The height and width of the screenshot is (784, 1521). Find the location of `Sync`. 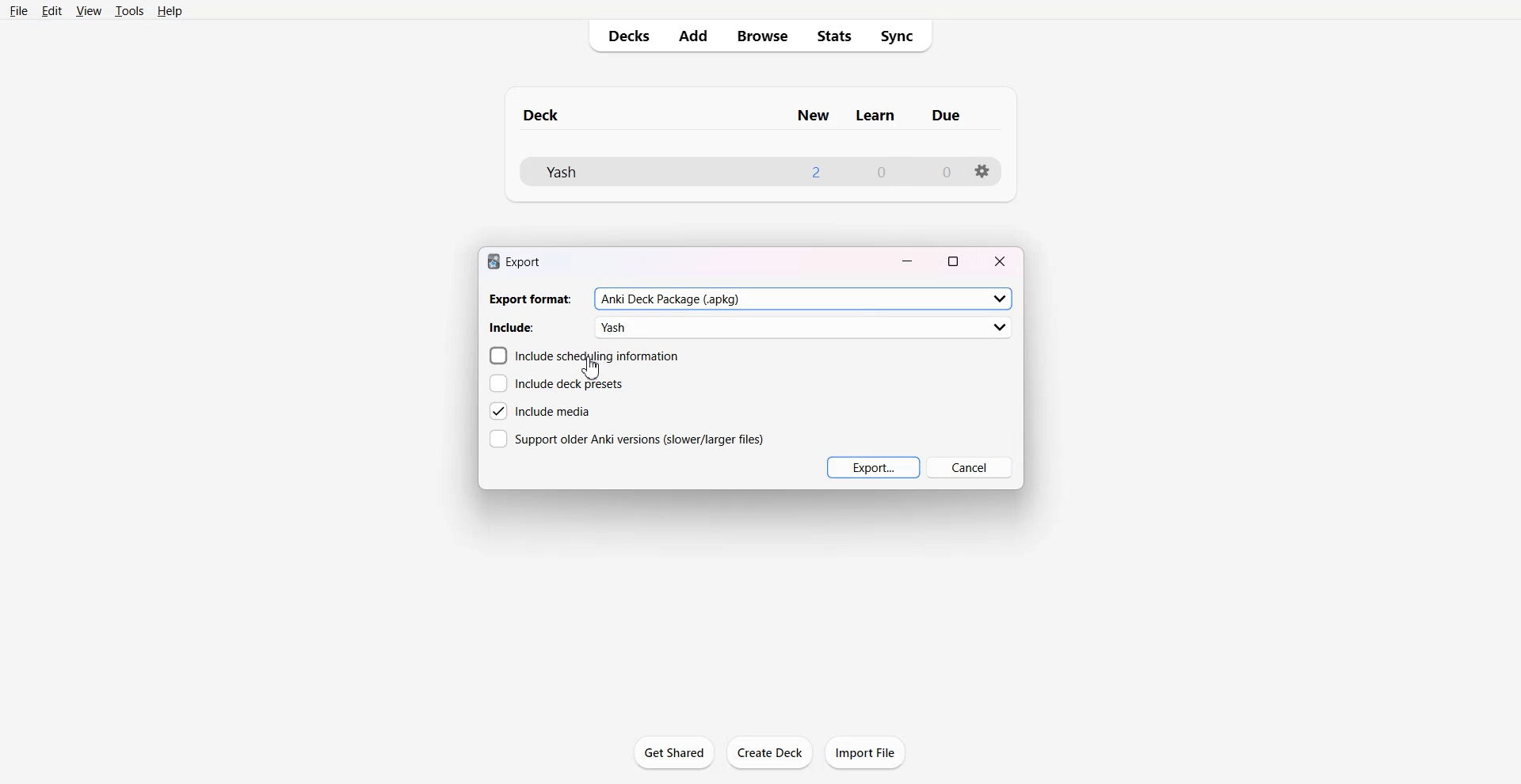

Sync is located at coordinates (902, 36).